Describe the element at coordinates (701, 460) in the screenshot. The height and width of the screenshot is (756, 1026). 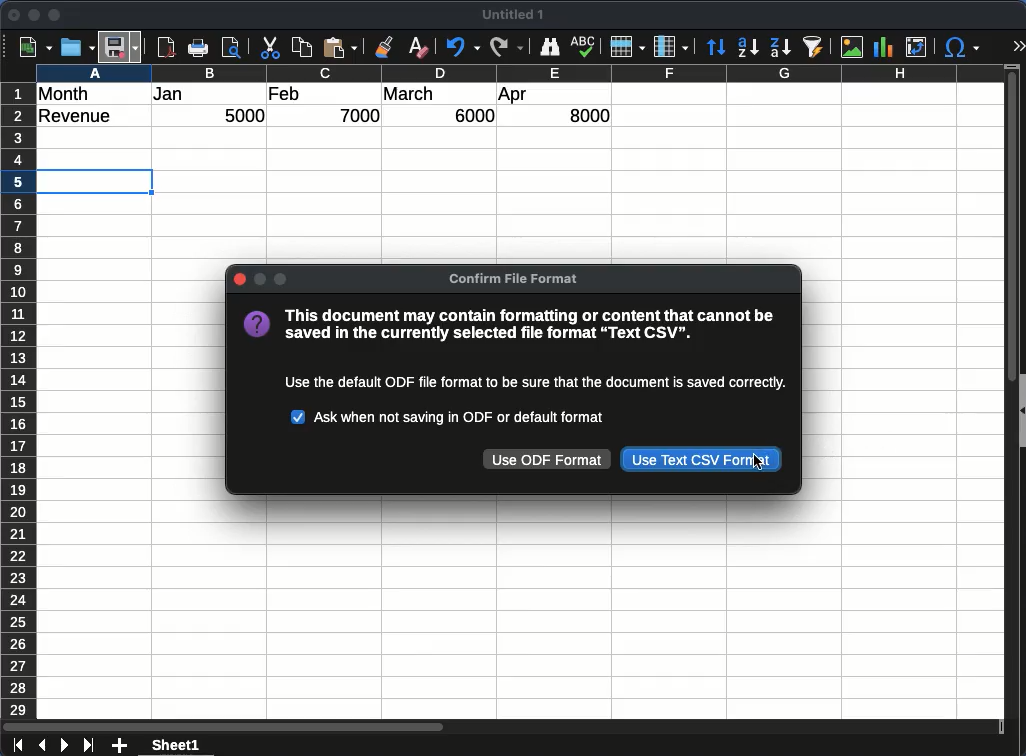
I see `use text csv format` at that location.